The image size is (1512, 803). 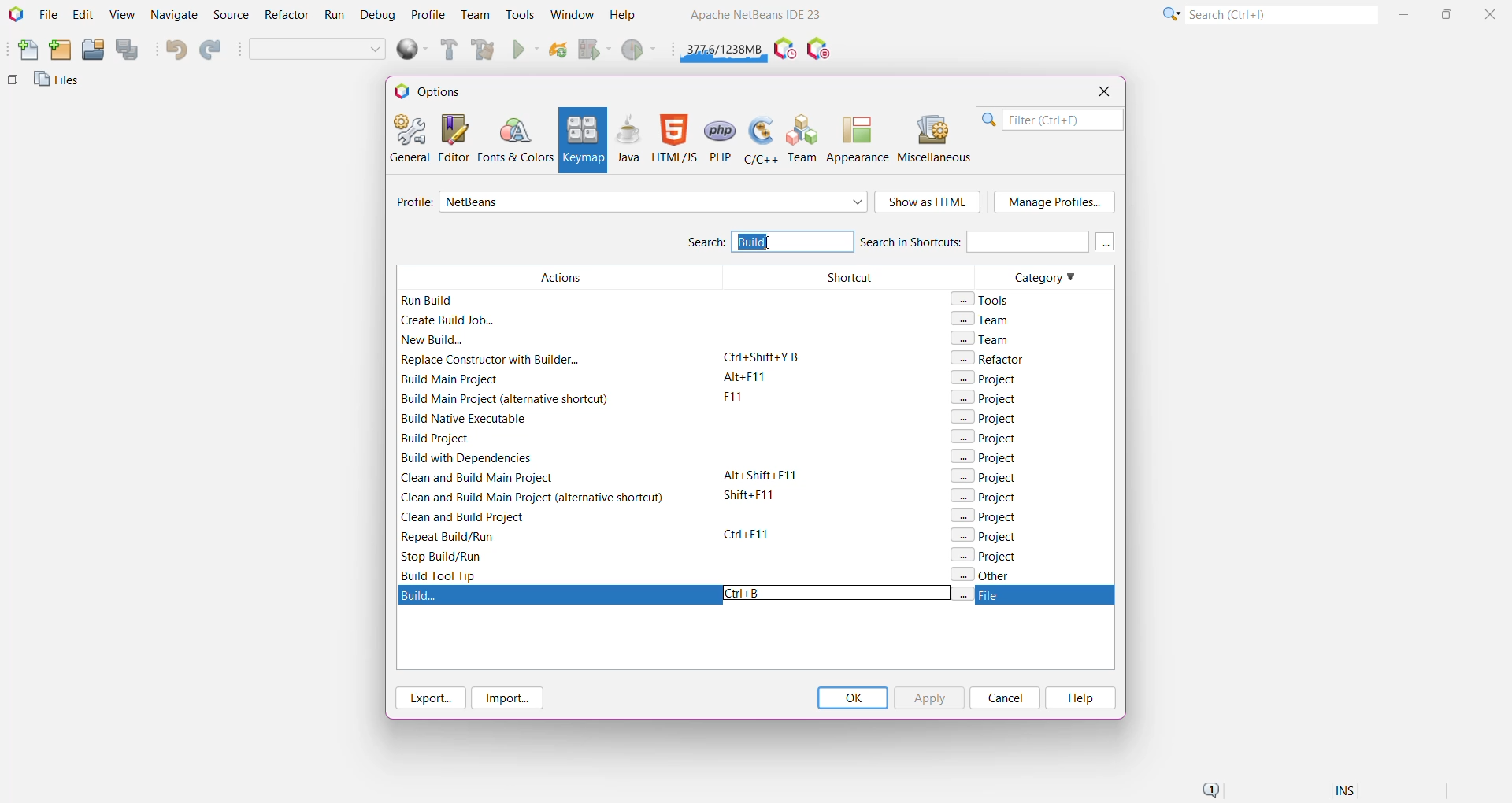 I want to click on File, so click(x=48, y=15).